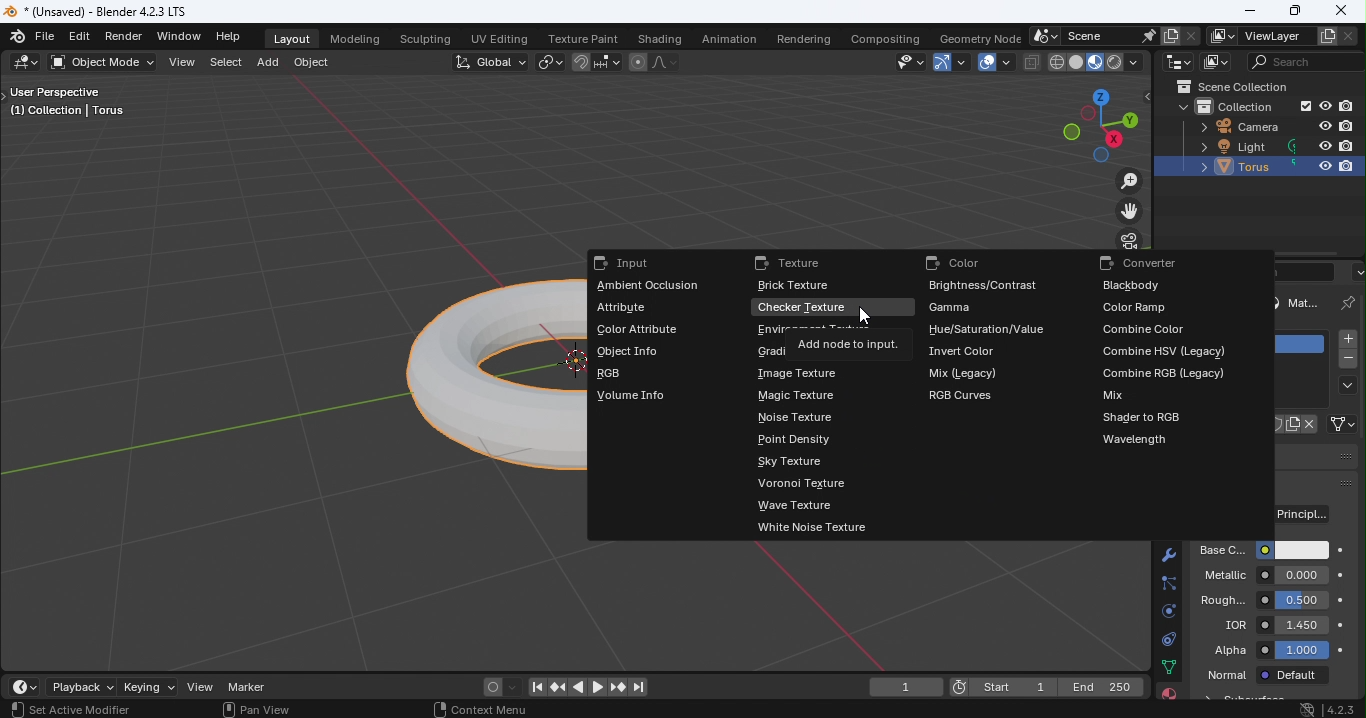 The height and width of the screenshot is (718, 1366). What do you see at coordinates (79, 37) in the screenshot?
I see `Edit` at bounding box center [79, 37].